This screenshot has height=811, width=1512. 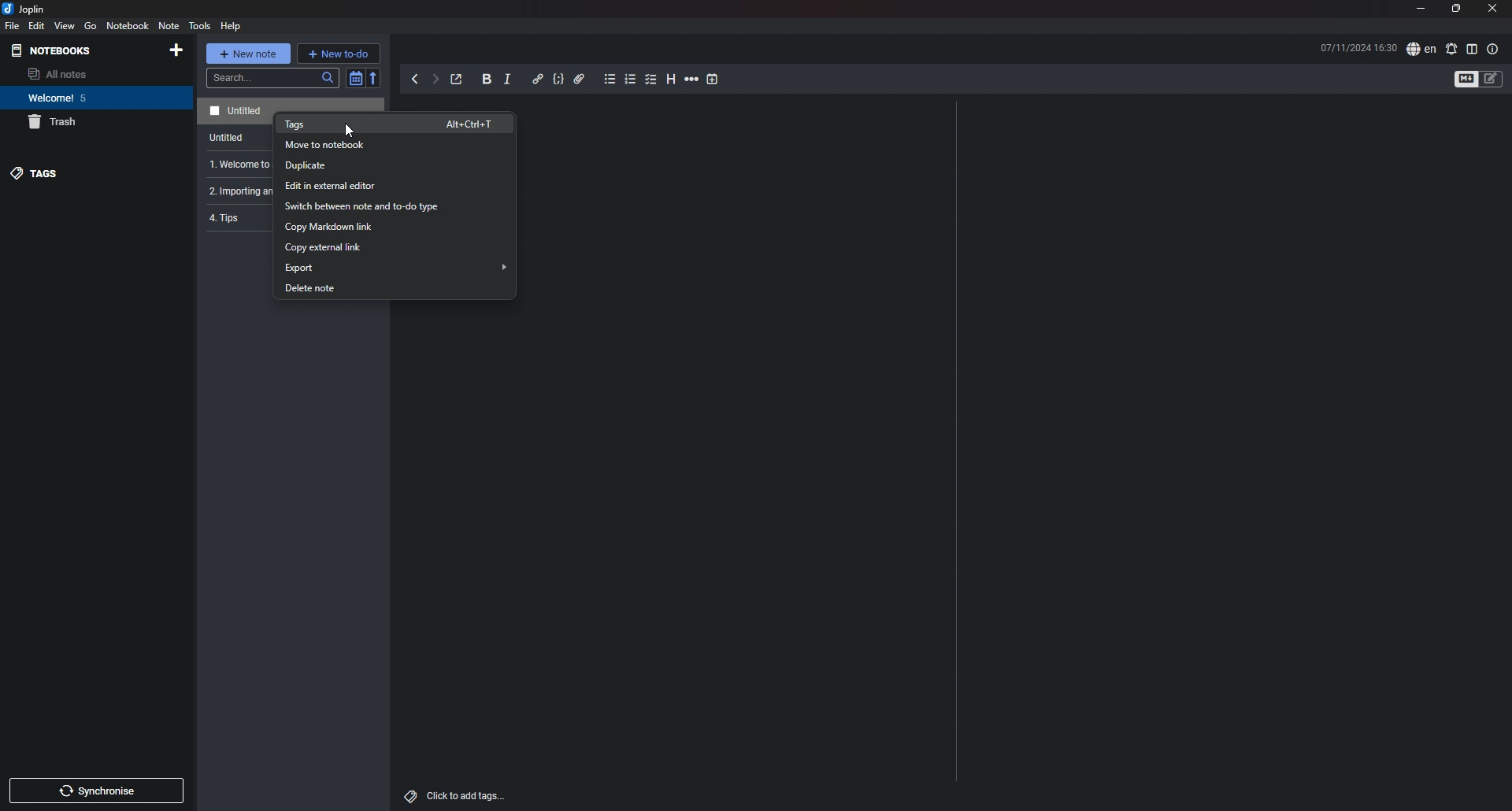 I want to click on italic, so click(x=507, y=80).